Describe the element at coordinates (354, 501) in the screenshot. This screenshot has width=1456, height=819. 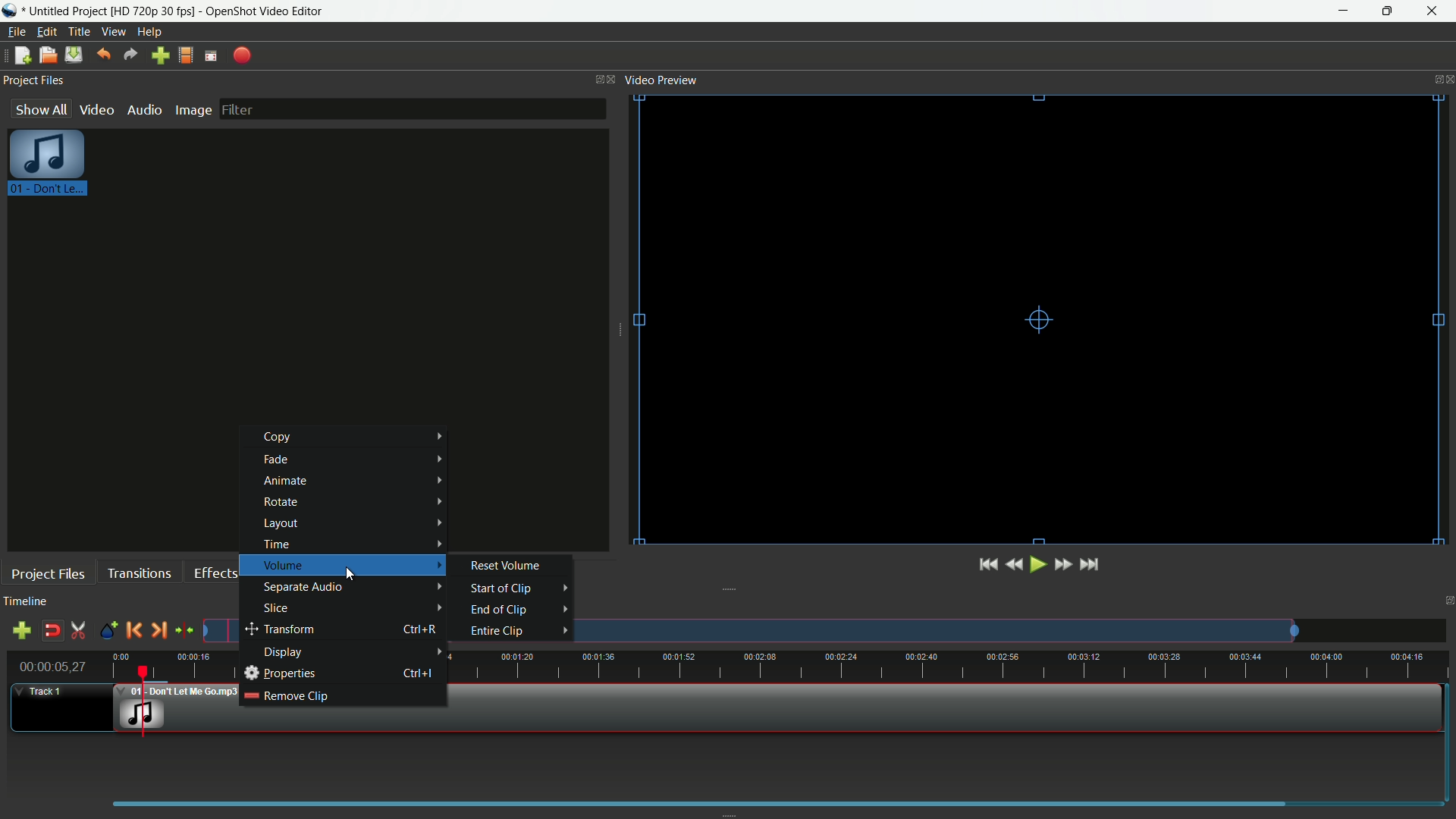
I see `rotate` at that location.